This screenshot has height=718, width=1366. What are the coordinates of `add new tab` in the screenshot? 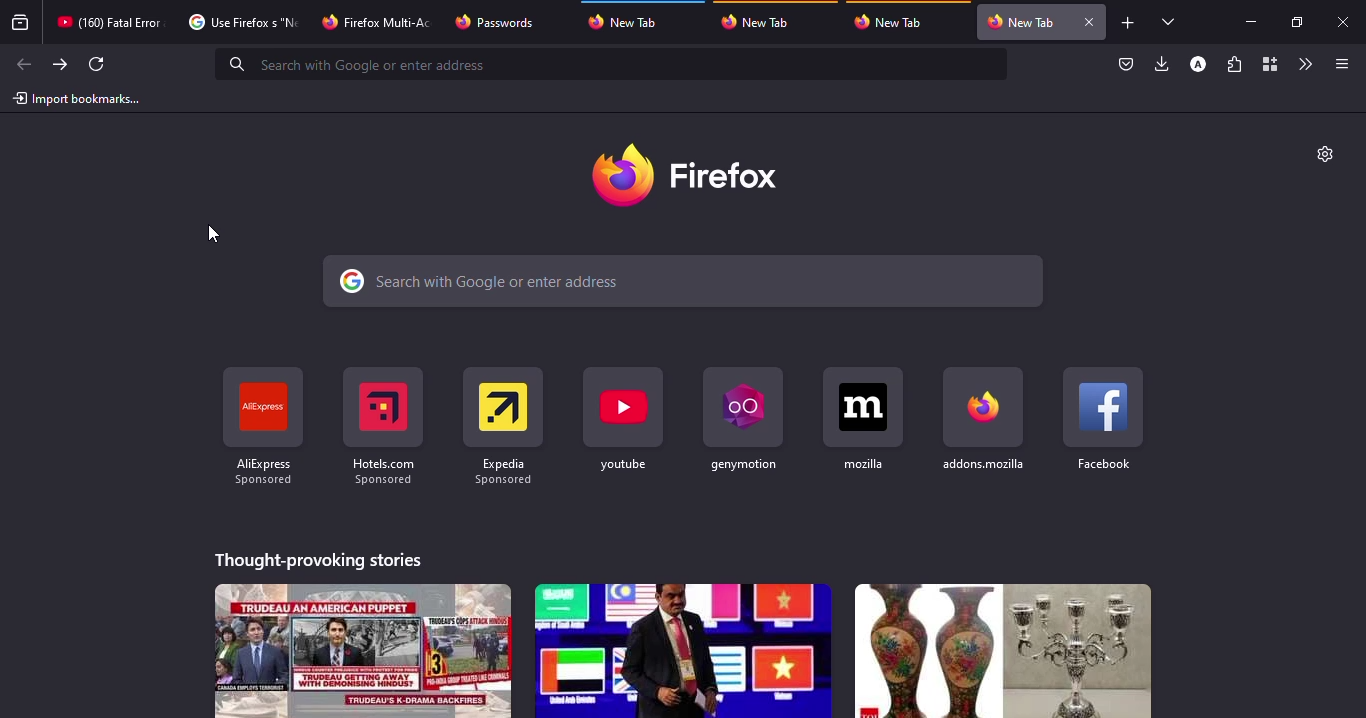 It's located at (1128, 23).